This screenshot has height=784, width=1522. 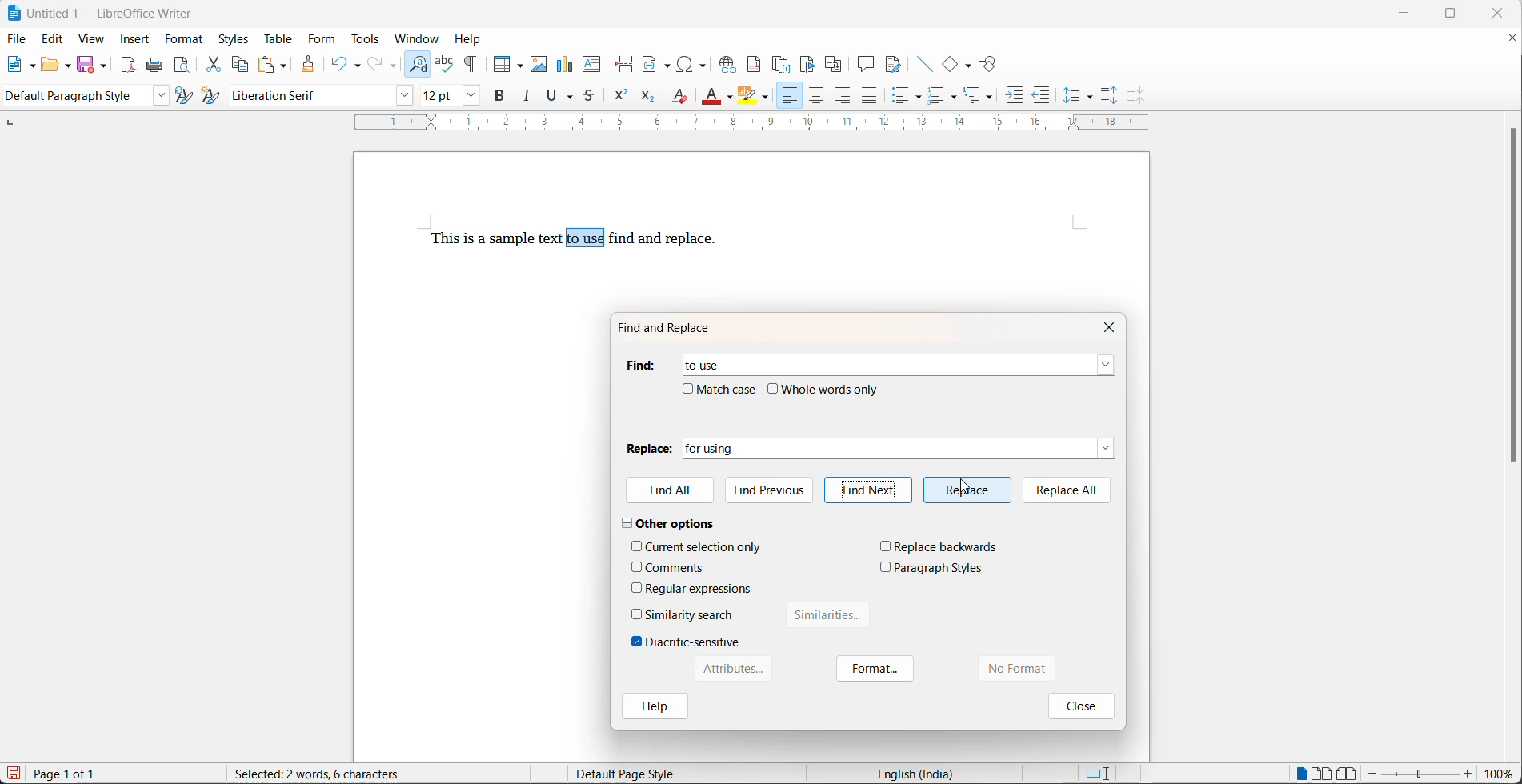 I want to click on table, so click(x=276, y=38).